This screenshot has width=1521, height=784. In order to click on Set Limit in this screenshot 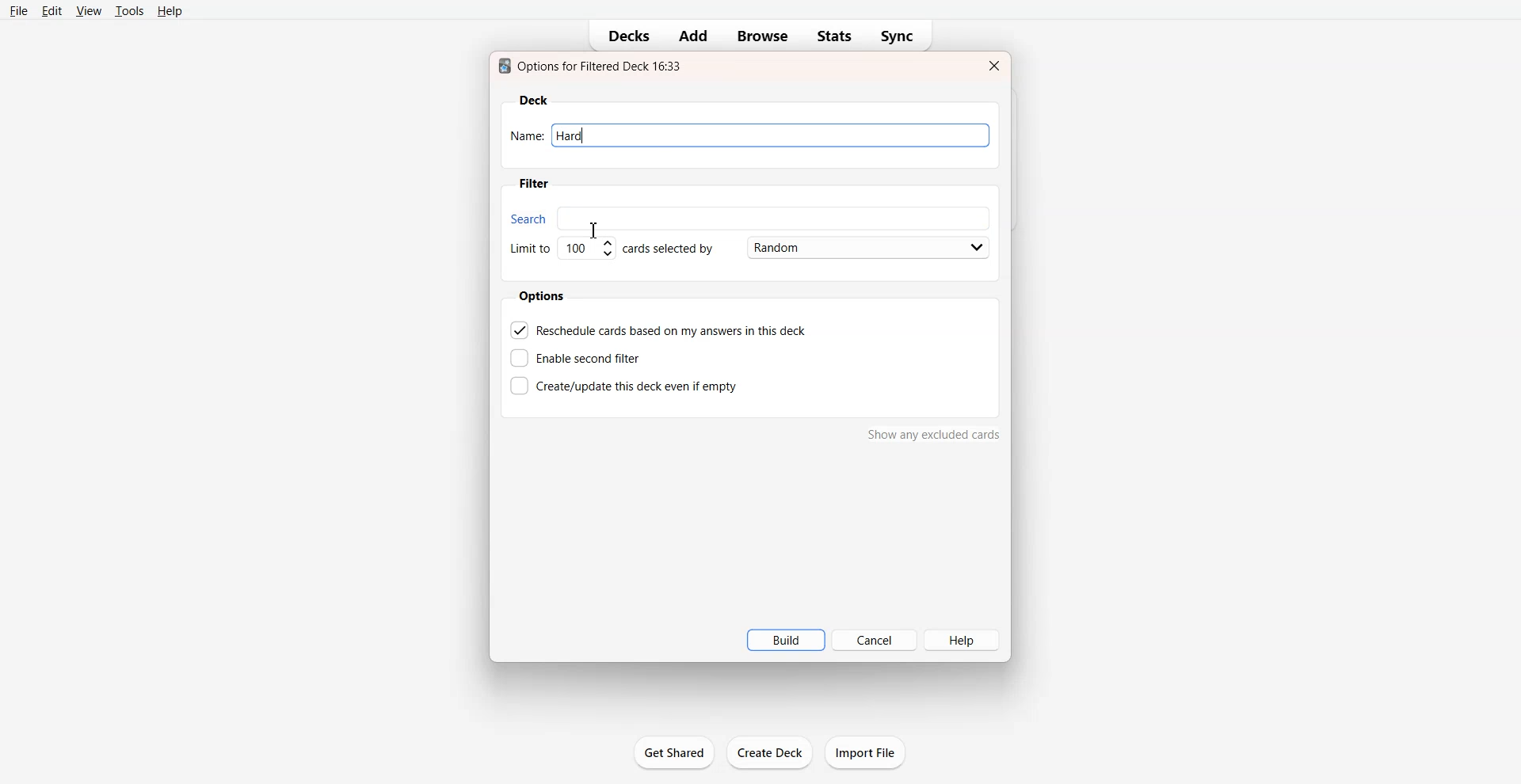, I will do `click(561, 249)`.